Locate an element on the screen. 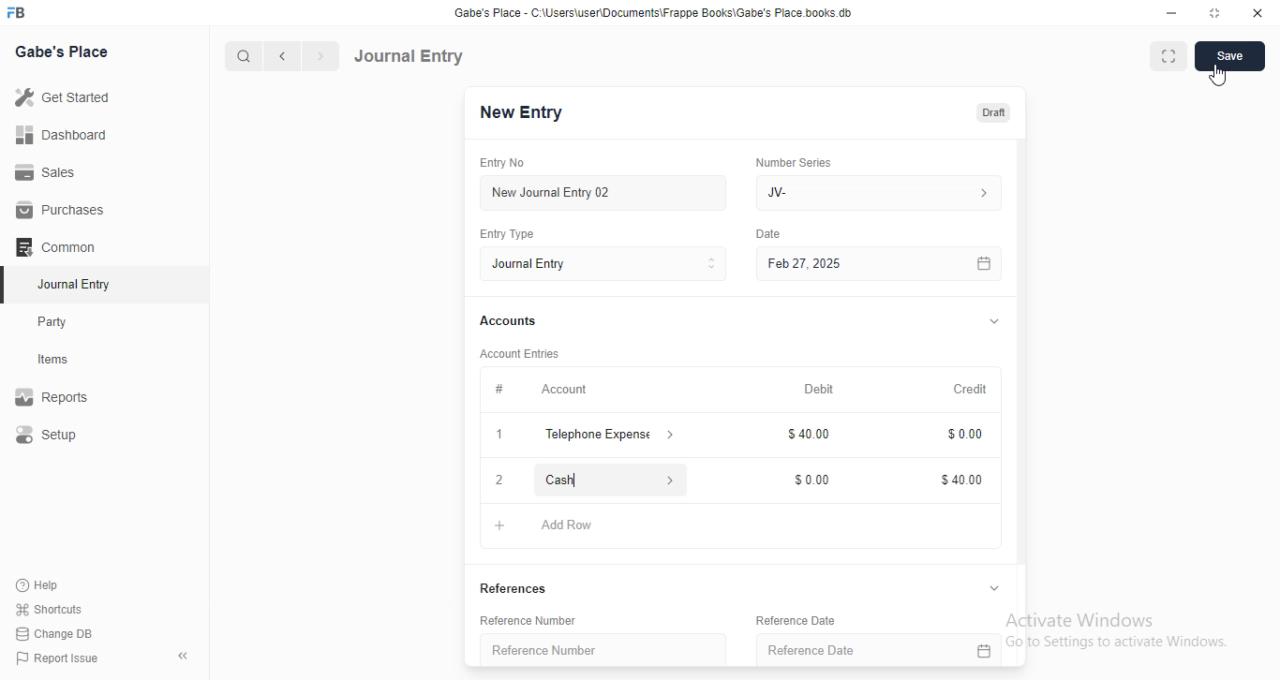 This screenshot has height=680, width=1280. | Change DB is located at coordinates (55, 632).